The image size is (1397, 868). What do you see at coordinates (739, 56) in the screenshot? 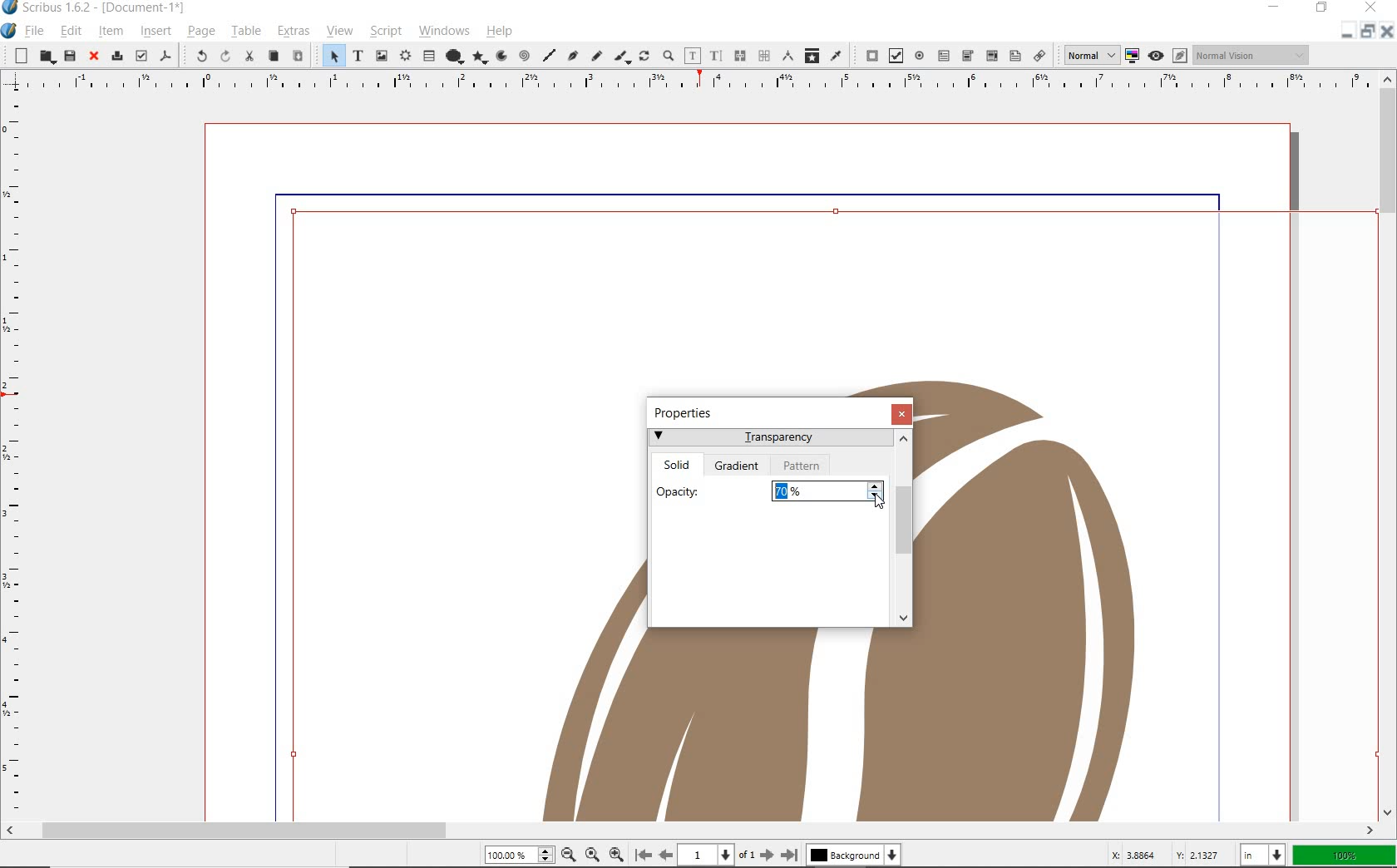
I see `link text frames` at bounding box center [739, 56].